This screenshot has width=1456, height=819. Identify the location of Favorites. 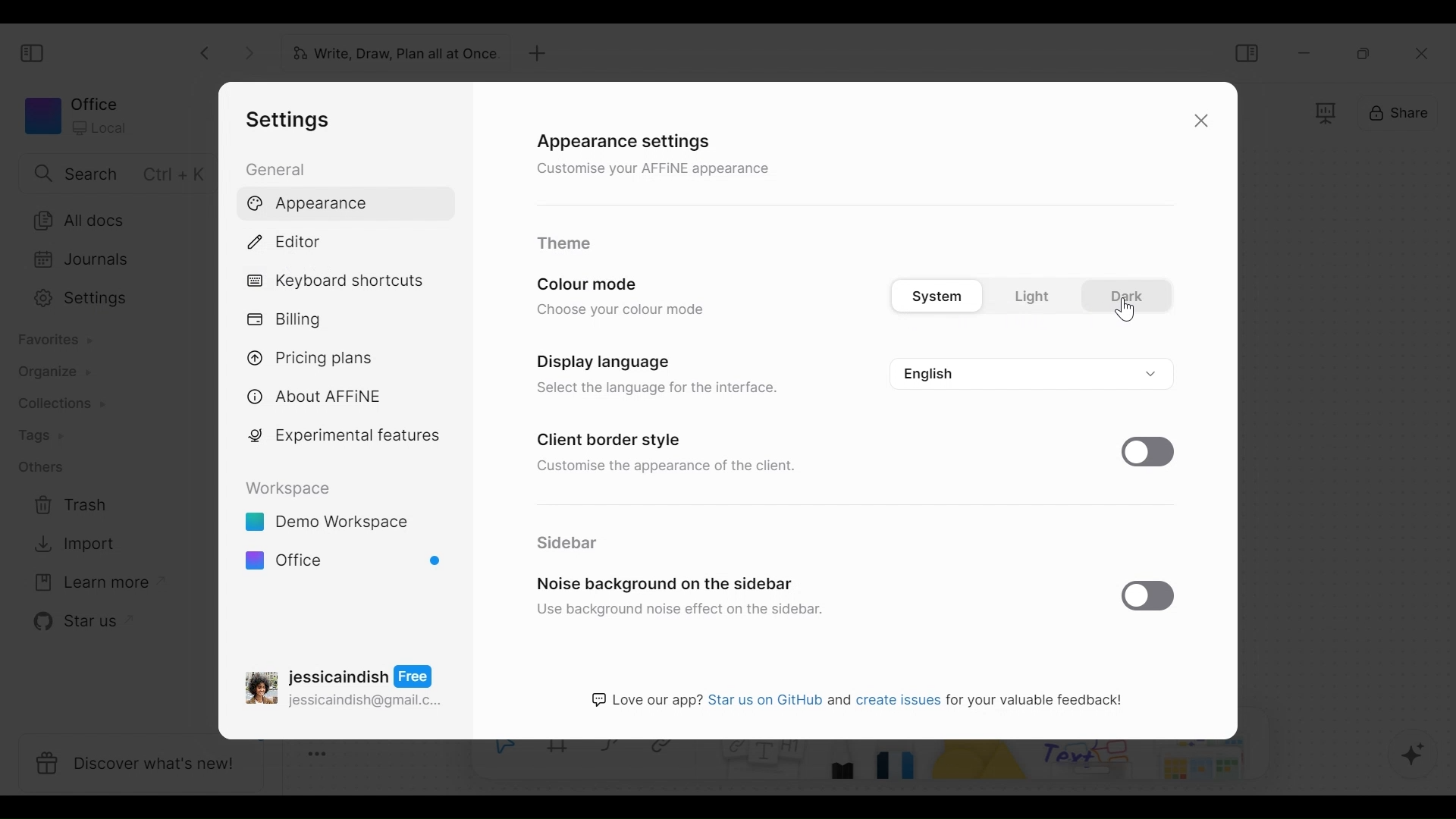
(61, 343).